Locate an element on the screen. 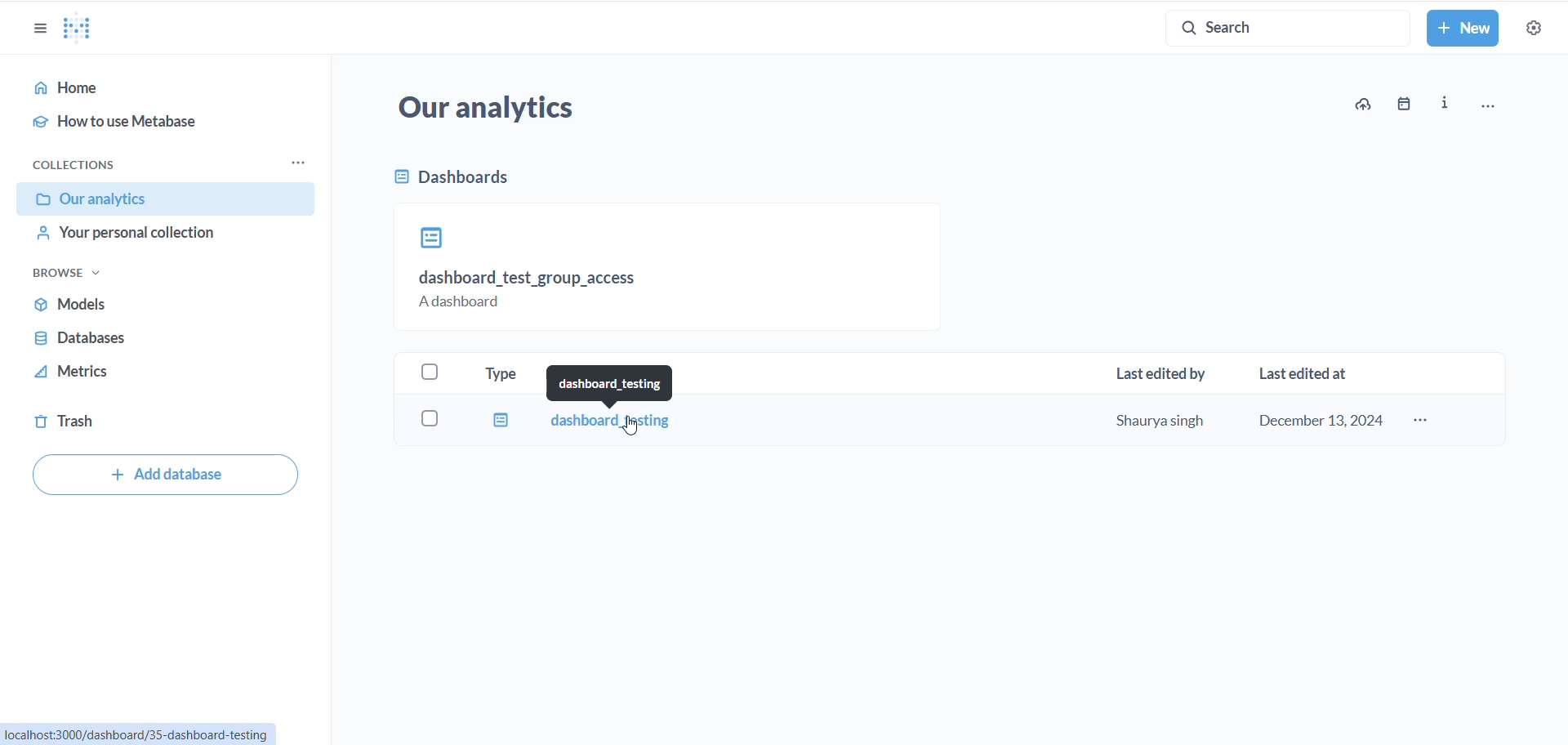 This screenshot has height=745, width=1568. dashboard_testing is located at coordinates (614, 382).